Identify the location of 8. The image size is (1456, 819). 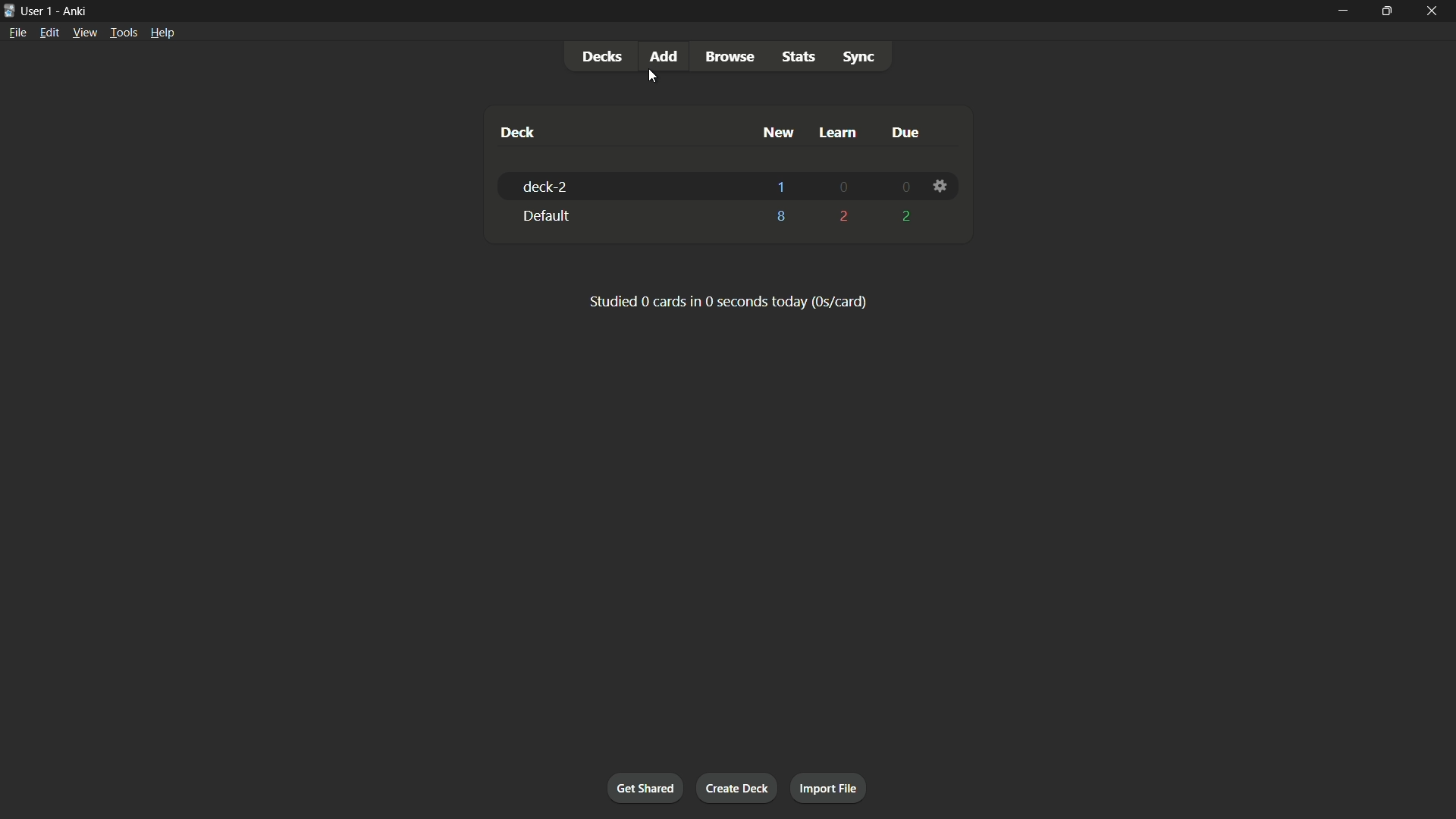
(782, 216).